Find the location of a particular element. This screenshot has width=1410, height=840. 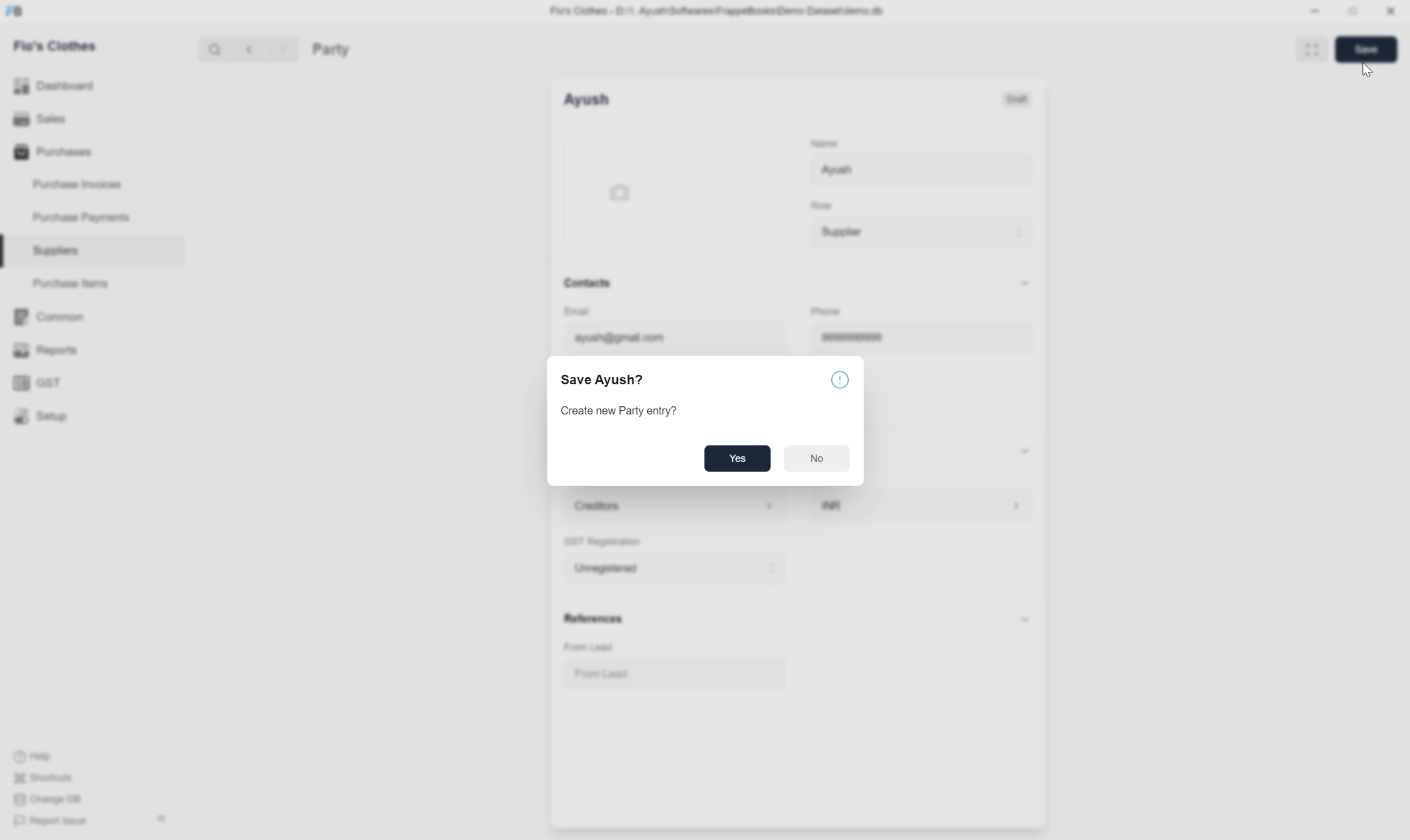

Purchase Invoices is located at coordinates (91, 185).